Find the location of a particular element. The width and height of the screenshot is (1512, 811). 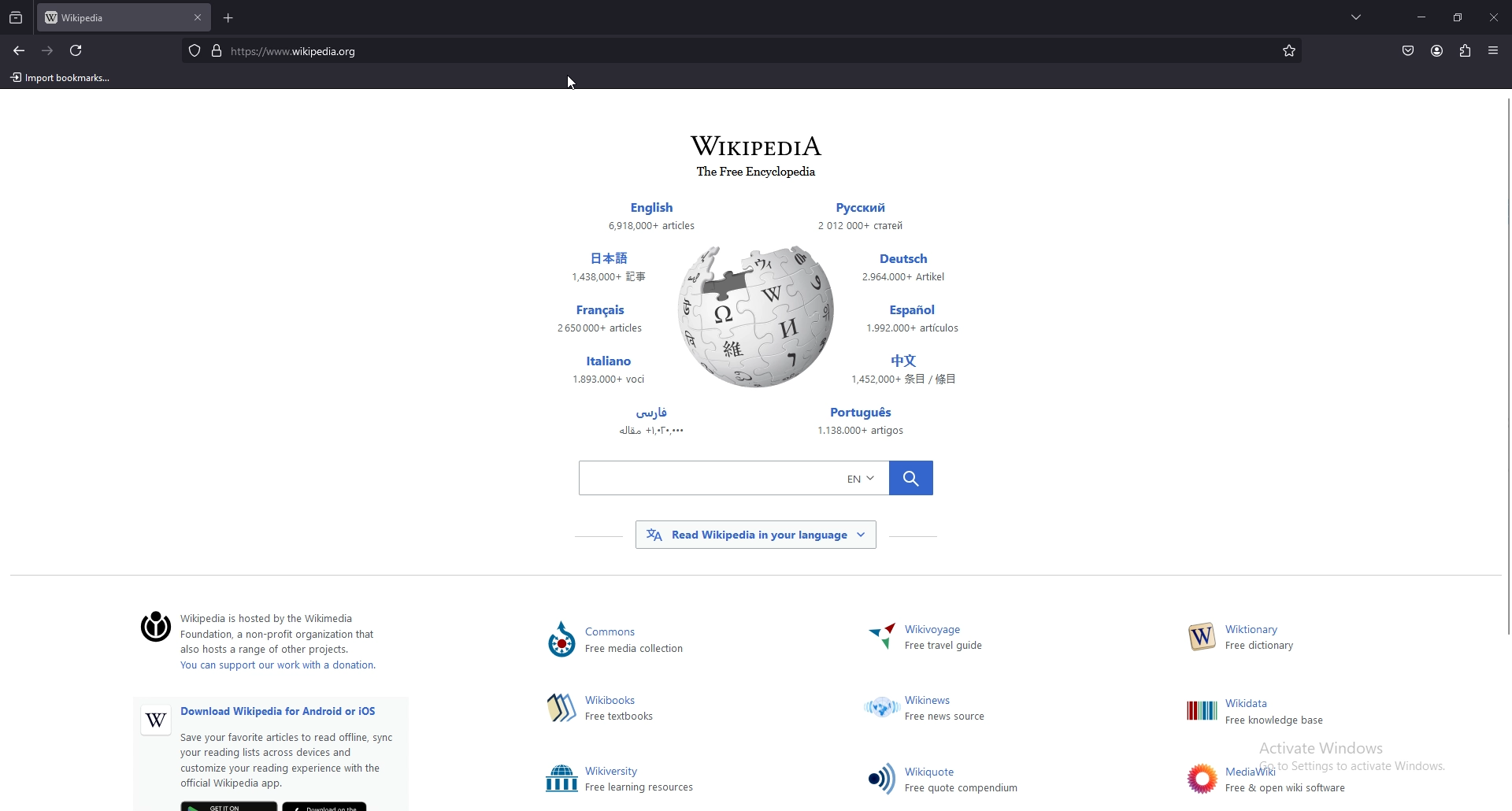

 is located at coordinates (300, 750).